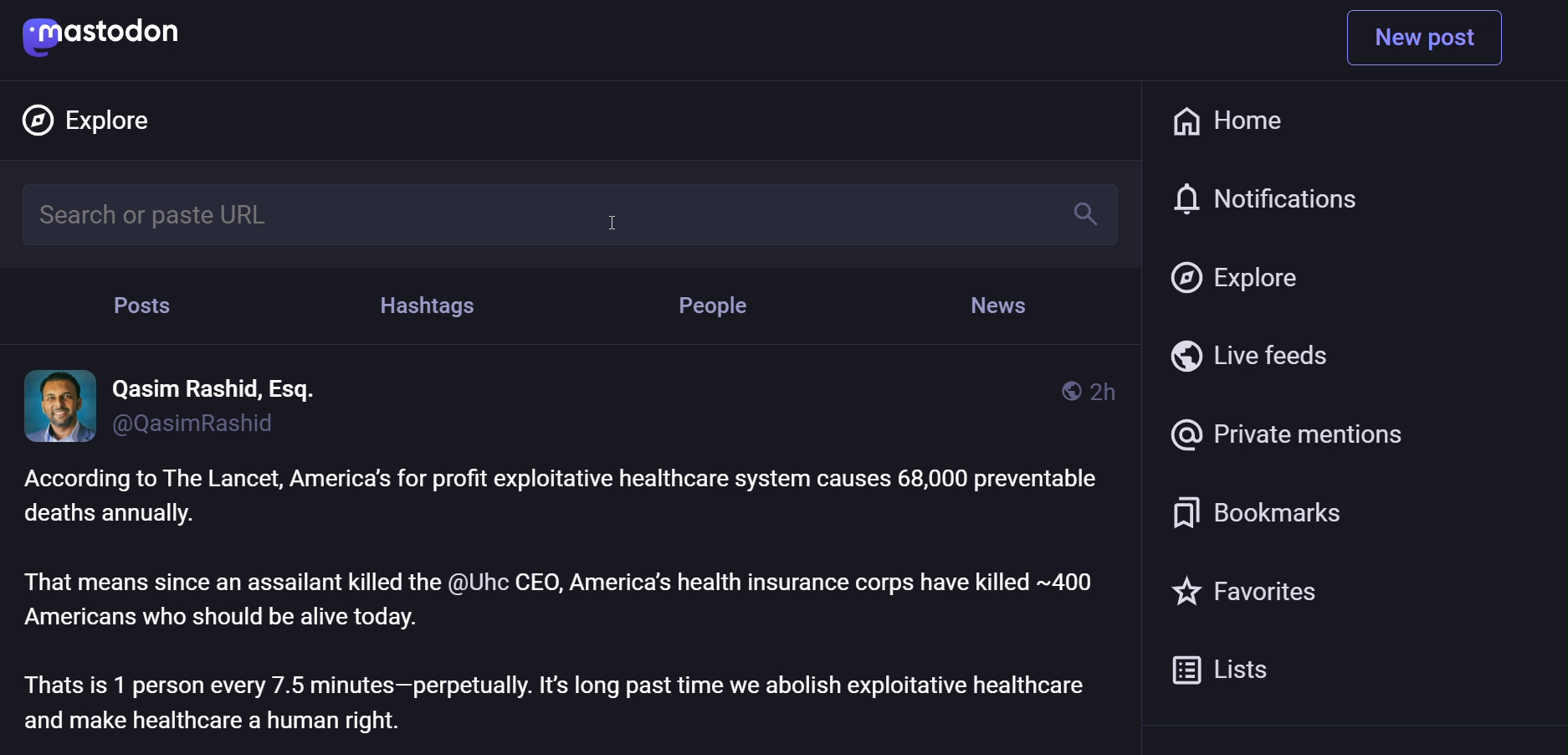 This screenshot has height=755, width=1568. What do you see at coordinates (80, 118) in the screenshot?
I see `explore` at bounding box center [80, 118].